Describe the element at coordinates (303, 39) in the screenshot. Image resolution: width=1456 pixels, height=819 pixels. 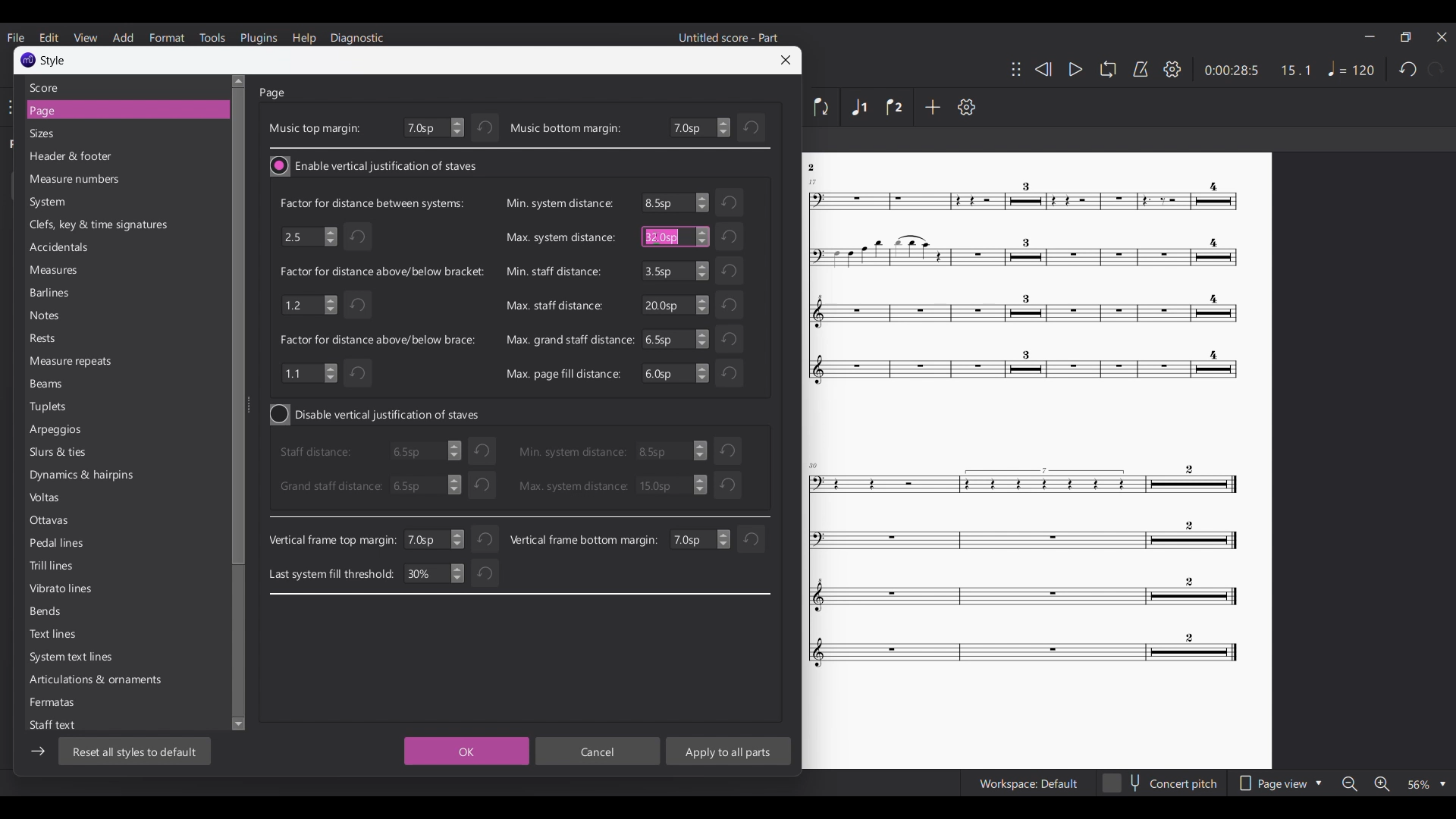
I see `Help menu` at that location.